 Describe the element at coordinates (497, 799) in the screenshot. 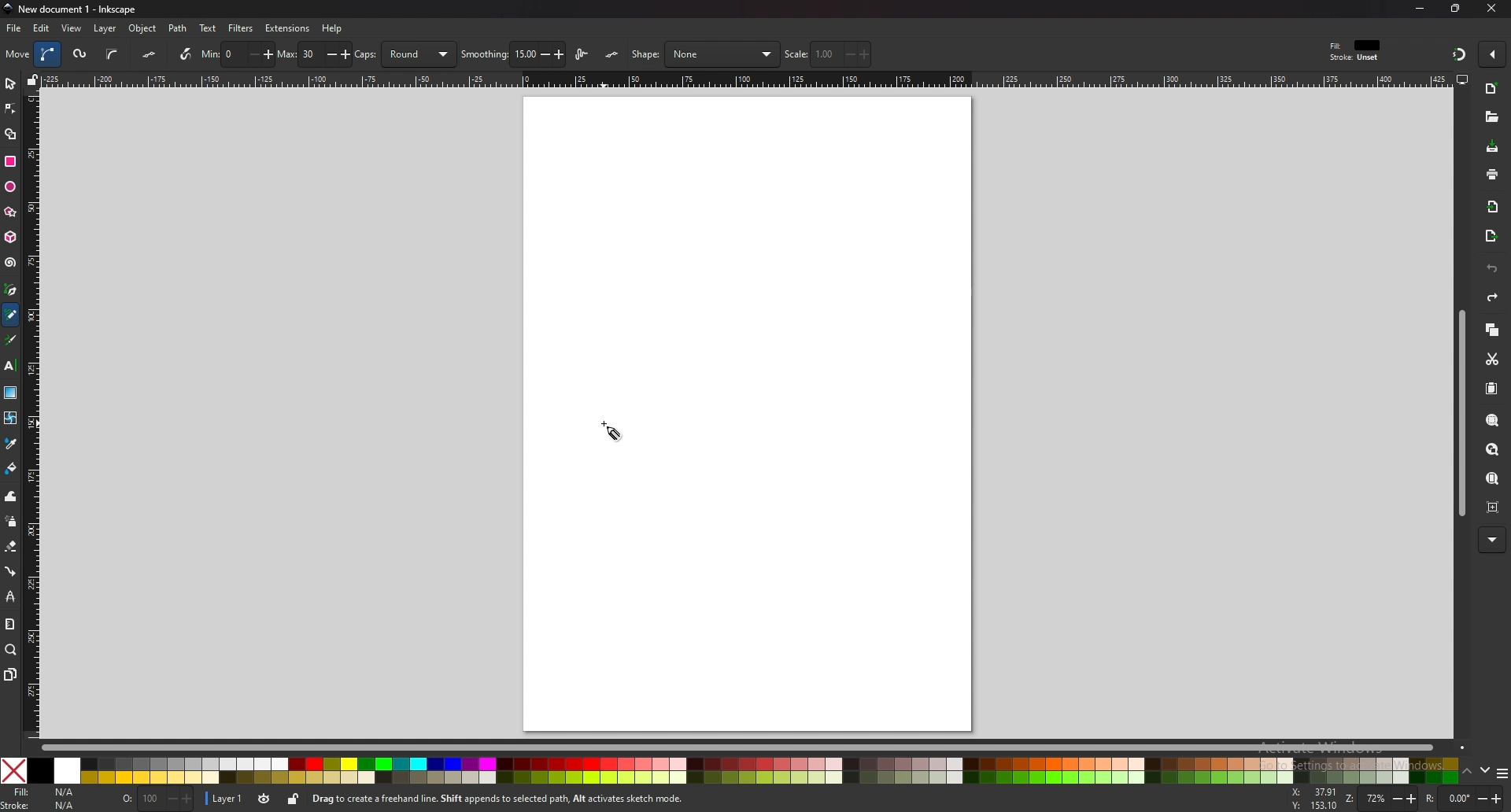

I see `info` at that location.